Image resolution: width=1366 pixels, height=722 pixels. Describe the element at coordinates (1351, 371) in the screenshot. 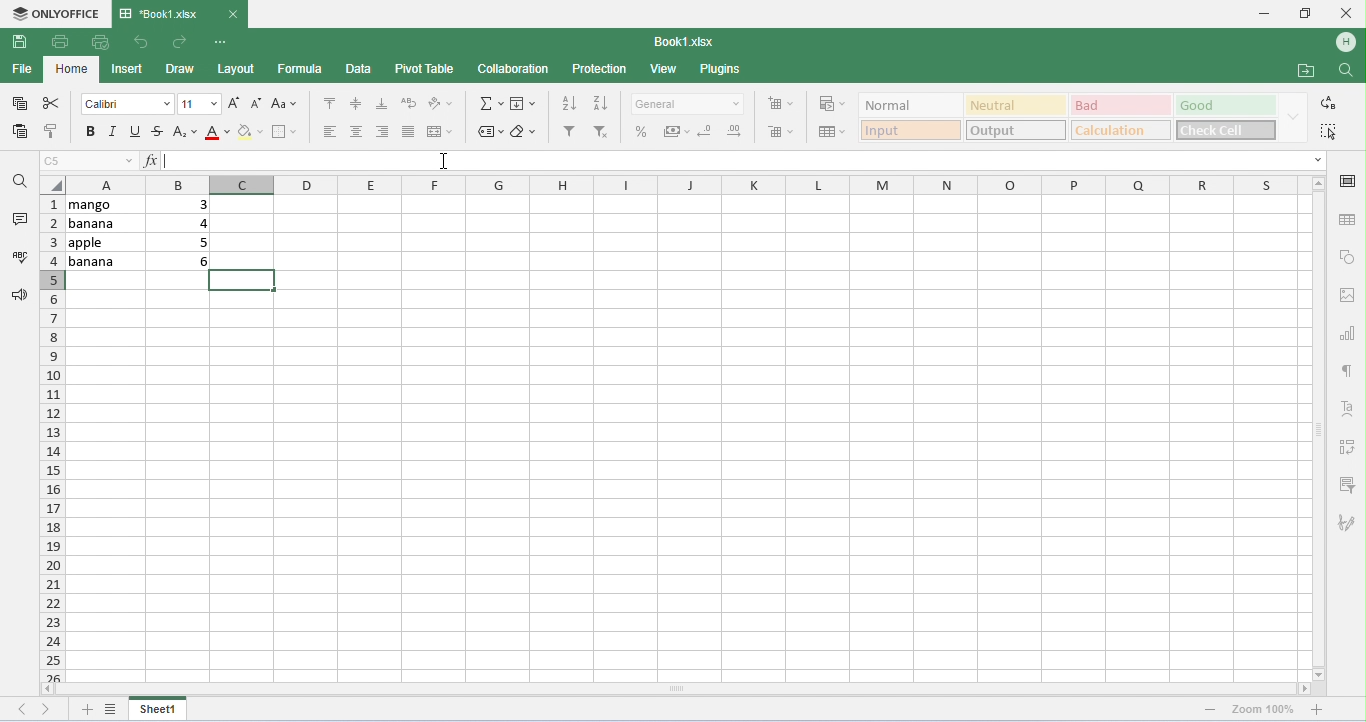

I see `paragraph settings` at that location.